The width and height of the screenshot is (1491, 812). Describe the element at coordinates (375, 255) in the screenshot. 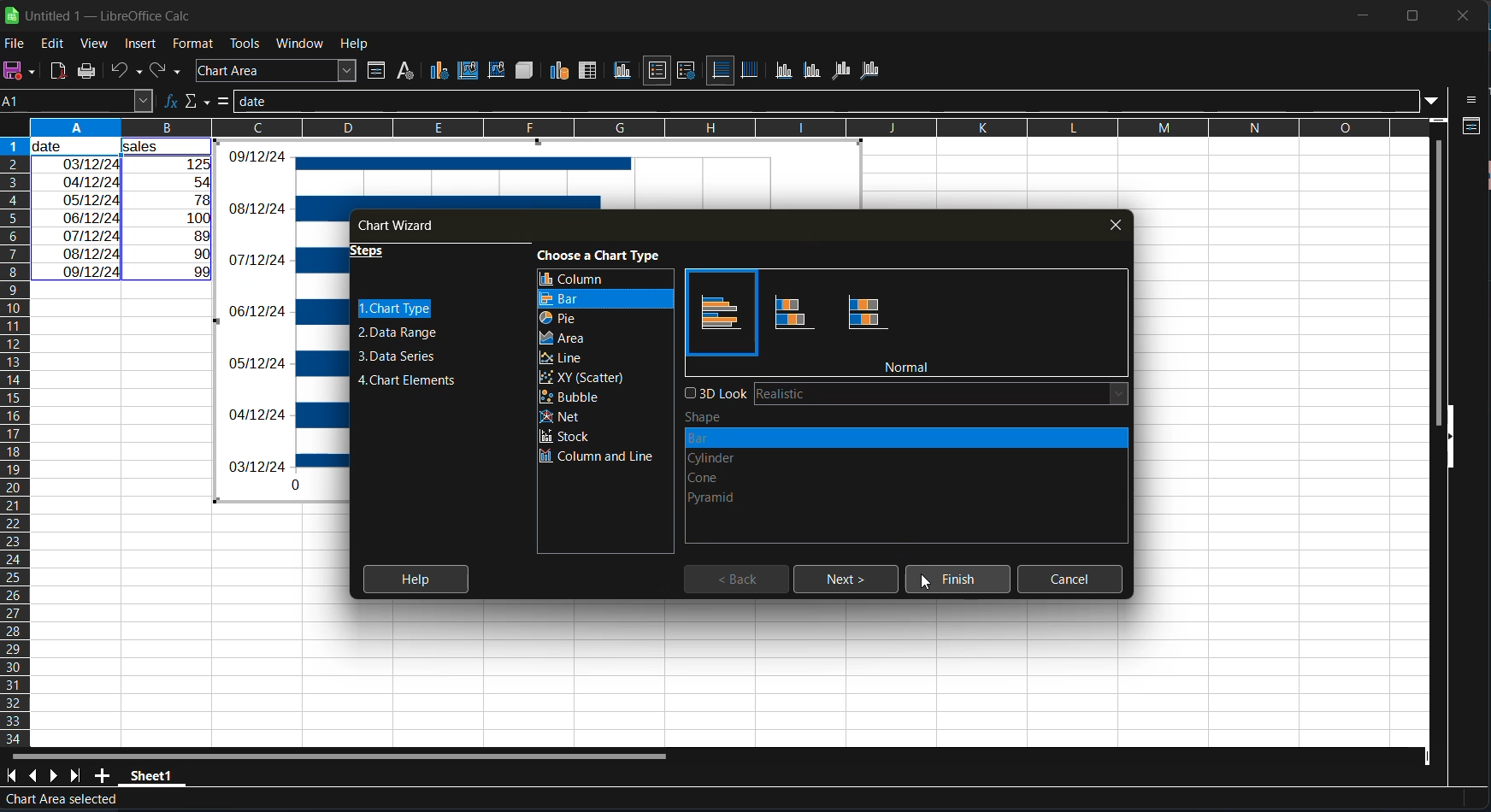

I see `steps` at that location.